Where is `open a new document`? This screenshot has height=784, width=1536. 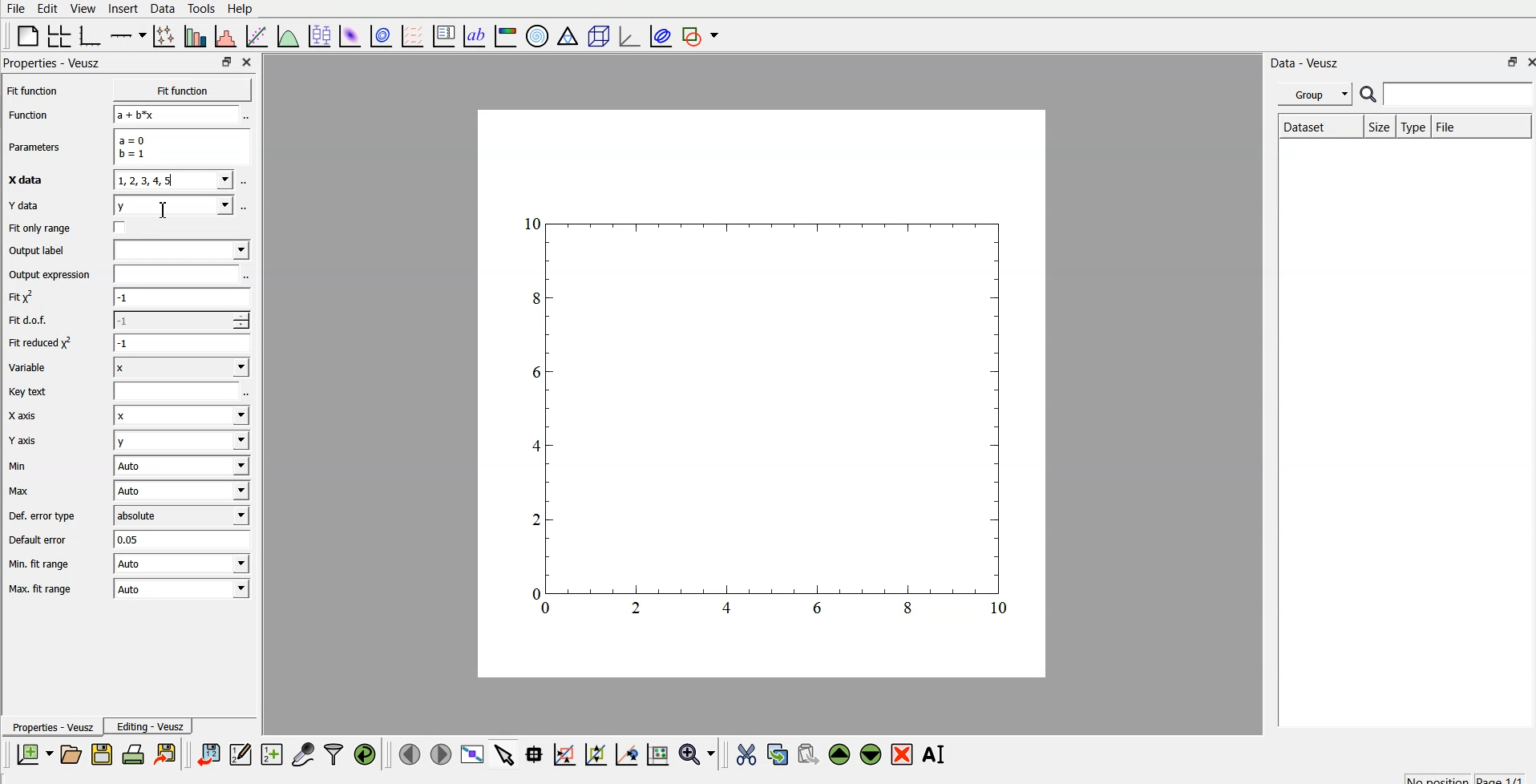
open a new document is located at coordinates (71, 757).